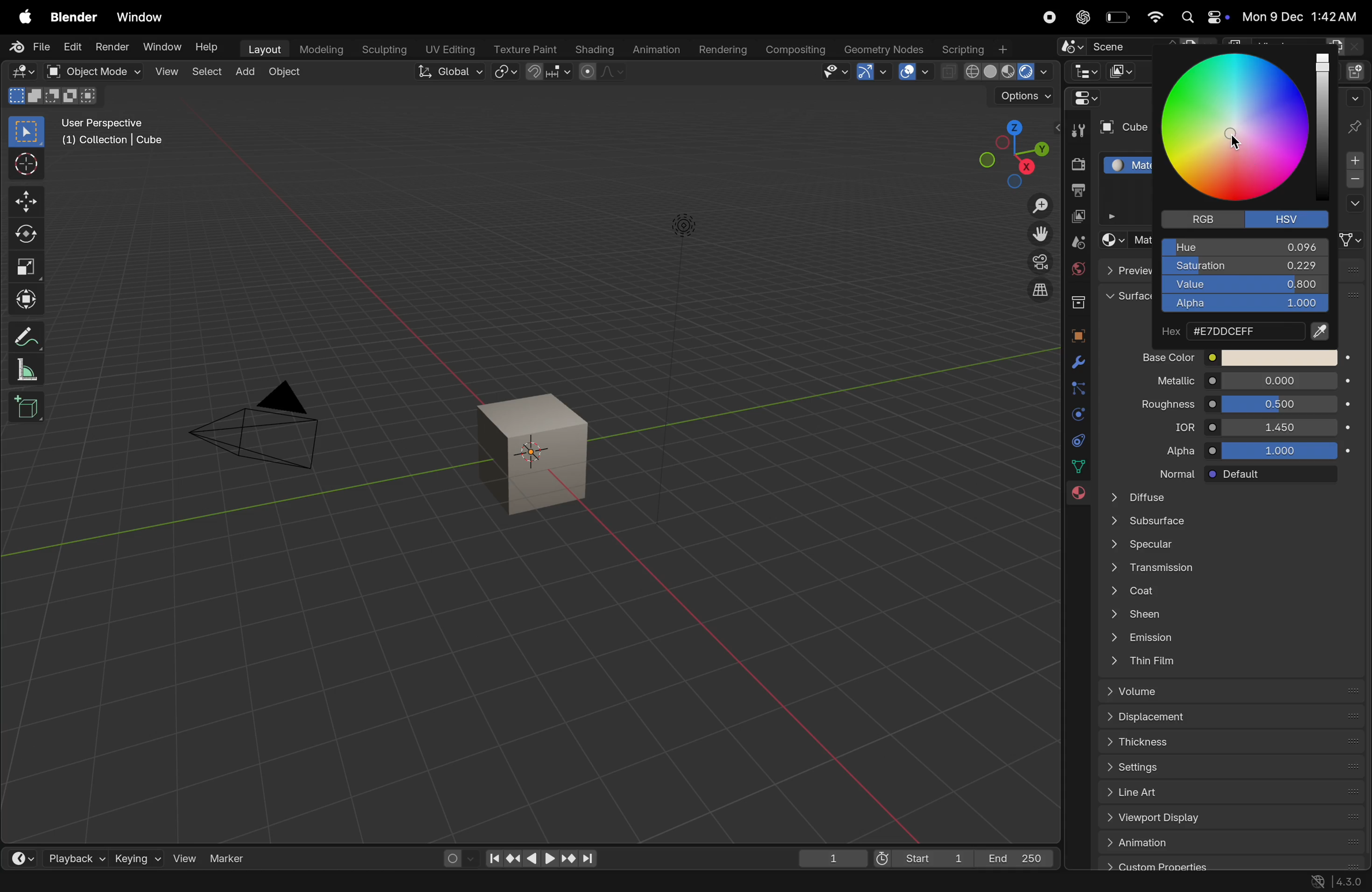 The height and width of the screenshot is (892, 1372). I want to click on File, so click(32, 47).